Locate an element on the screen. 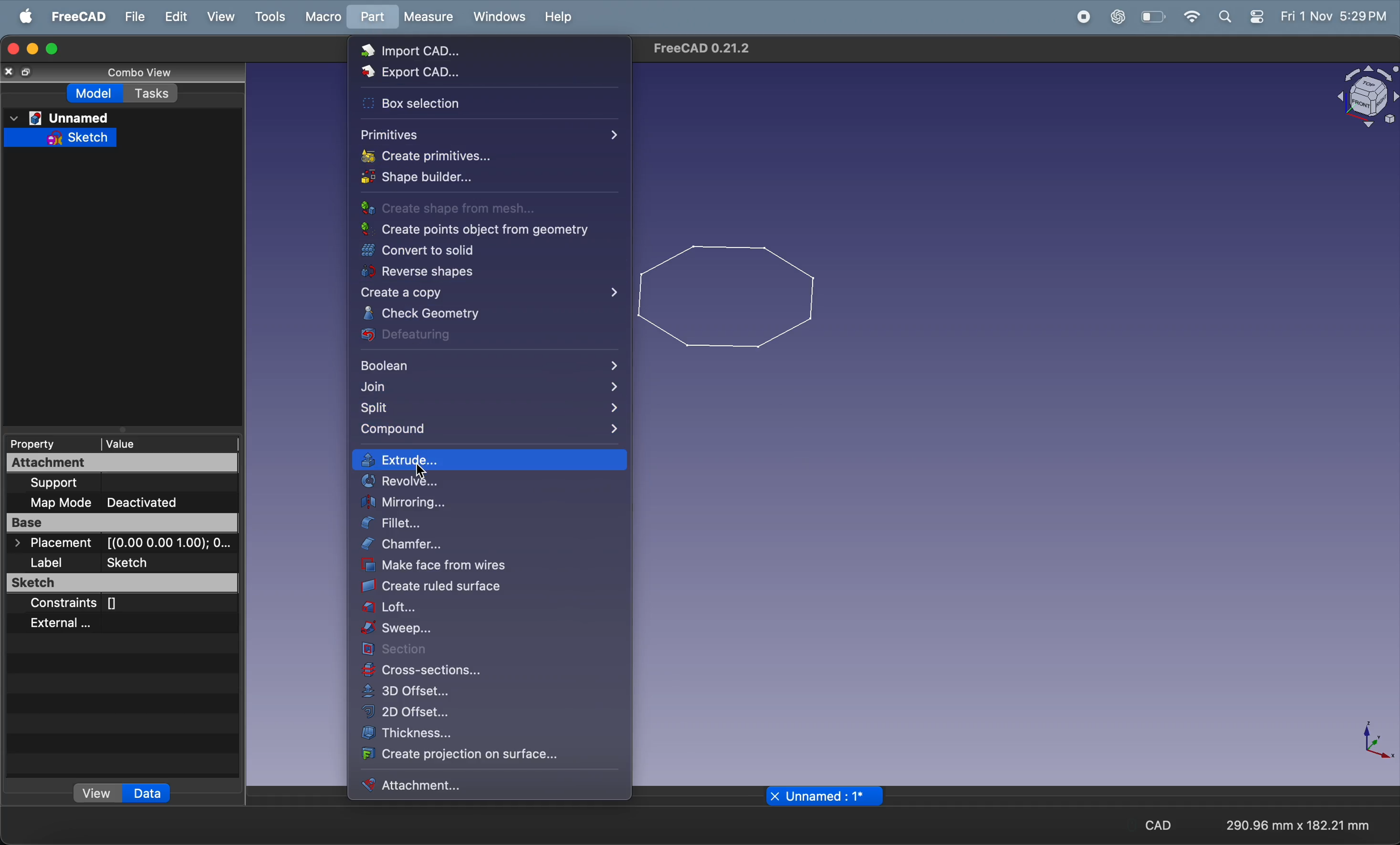  create projection on surface is located at coordinates (484, 757).